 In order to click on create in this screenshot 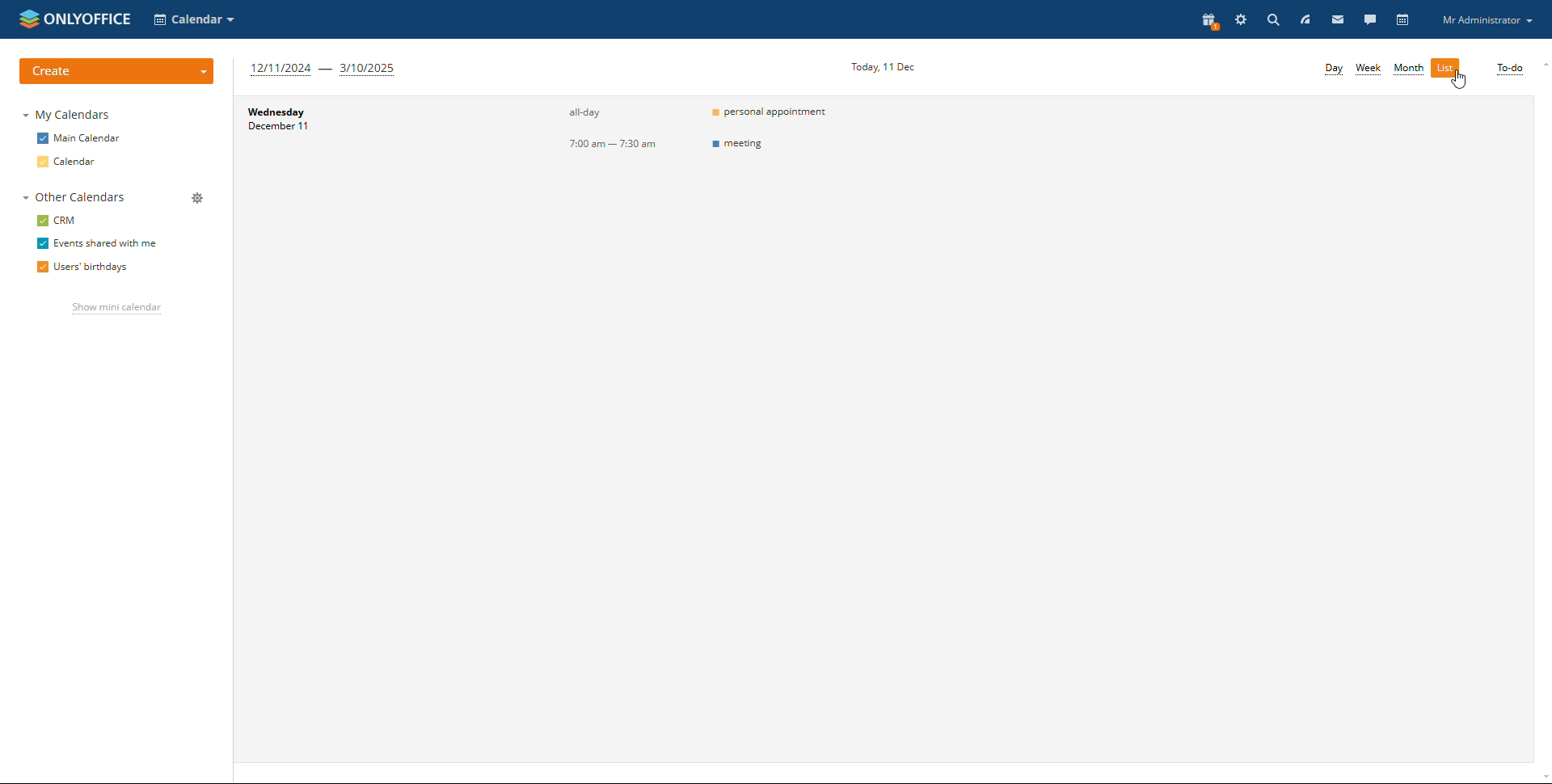, I will do `click(116, 70)`.